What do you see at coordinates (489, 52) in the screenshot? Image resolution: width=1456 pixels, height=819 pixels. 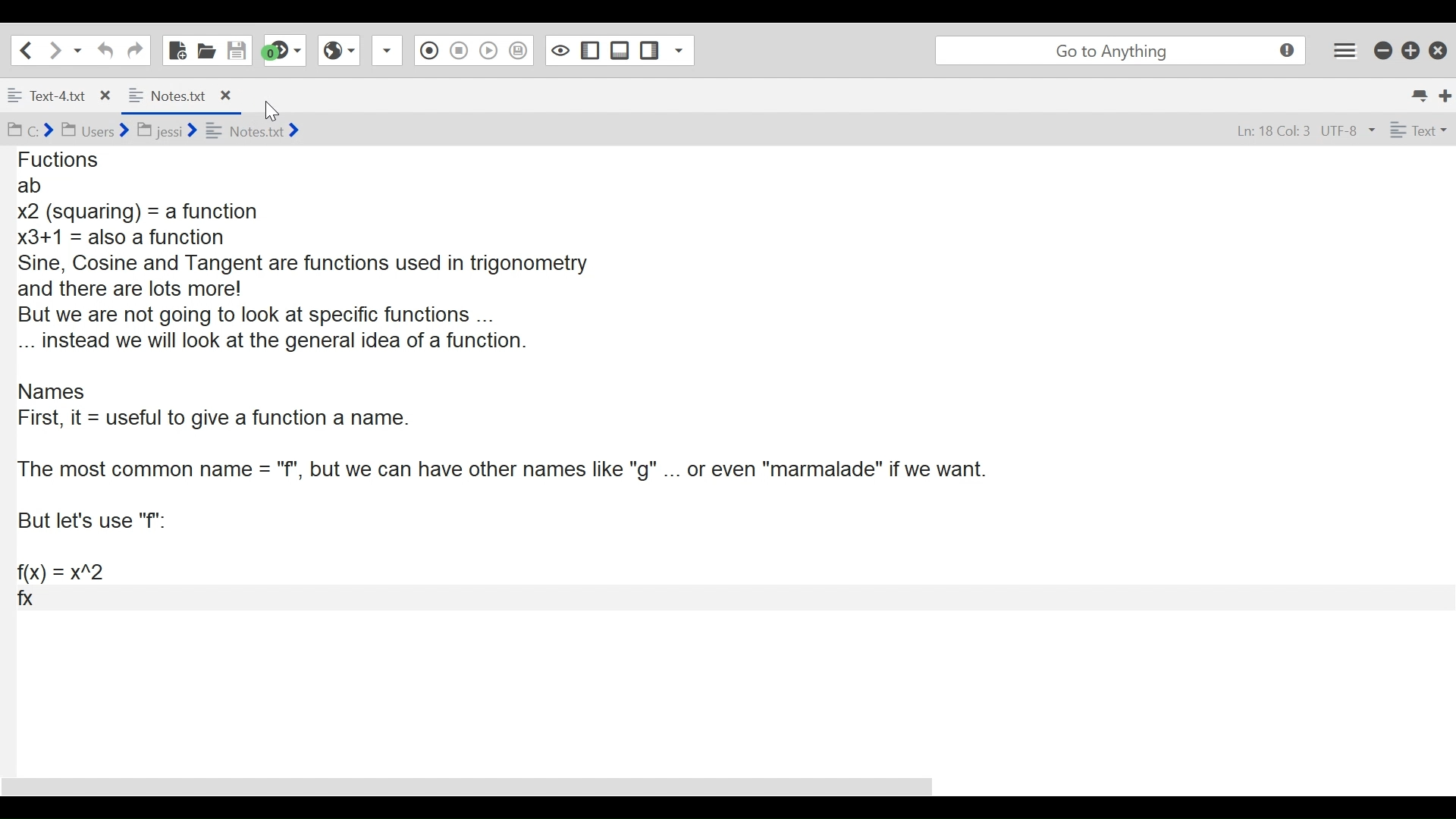 I see `Play Last Macro` at bounding box center [489, 52].